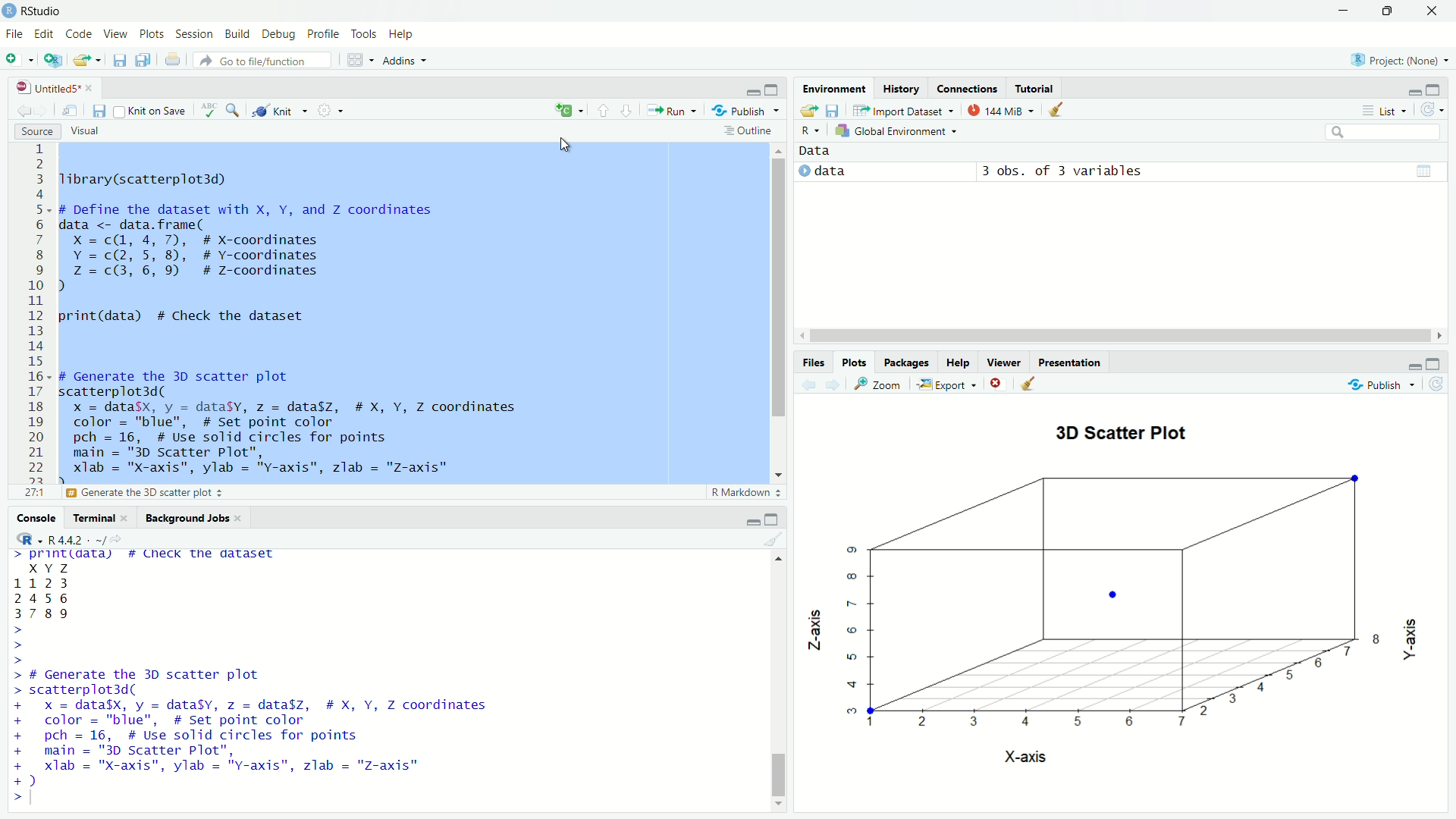 The image size is (1456, 819). What do you see at coordinates (32, 493) in the screenshot?
I see `12:33` at bounding box center [32, 493].